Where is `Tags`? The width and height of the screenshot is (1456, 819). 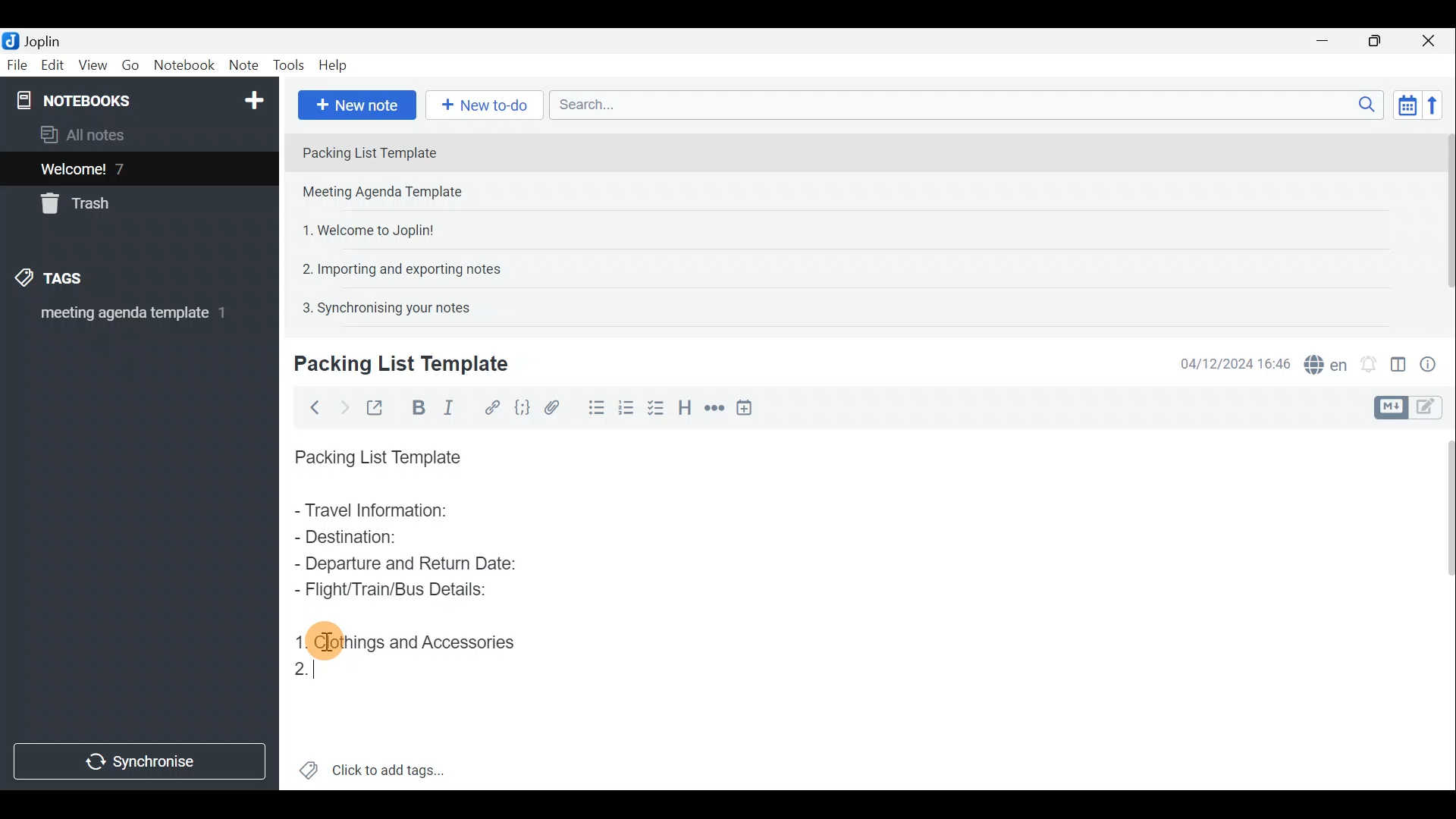
Tags is located at coordinates (74, 281).